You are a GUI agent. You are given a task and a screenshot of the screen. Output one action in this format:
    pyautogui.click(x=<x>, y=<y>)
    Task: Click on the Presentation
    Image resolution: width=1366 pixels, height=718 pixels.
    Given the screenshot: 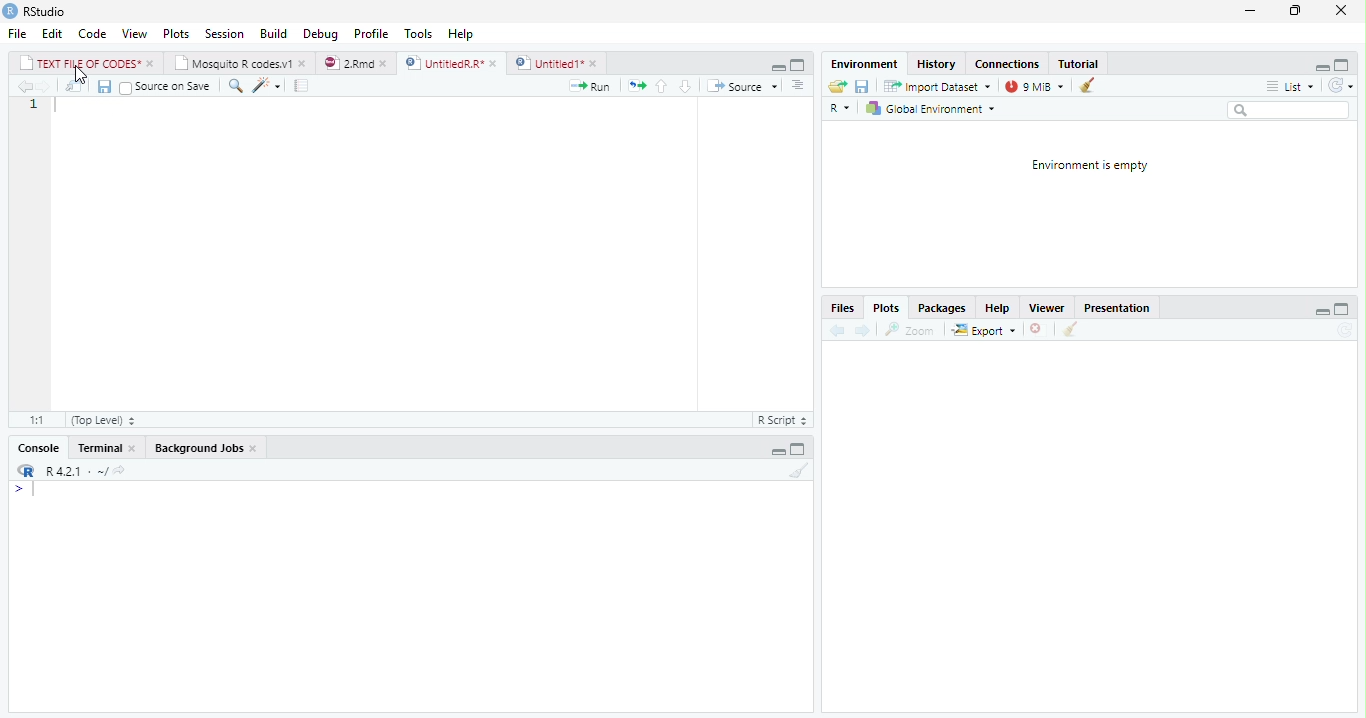 What is the action you would take?
    pyautogui.click(x=1121, y=308)
    